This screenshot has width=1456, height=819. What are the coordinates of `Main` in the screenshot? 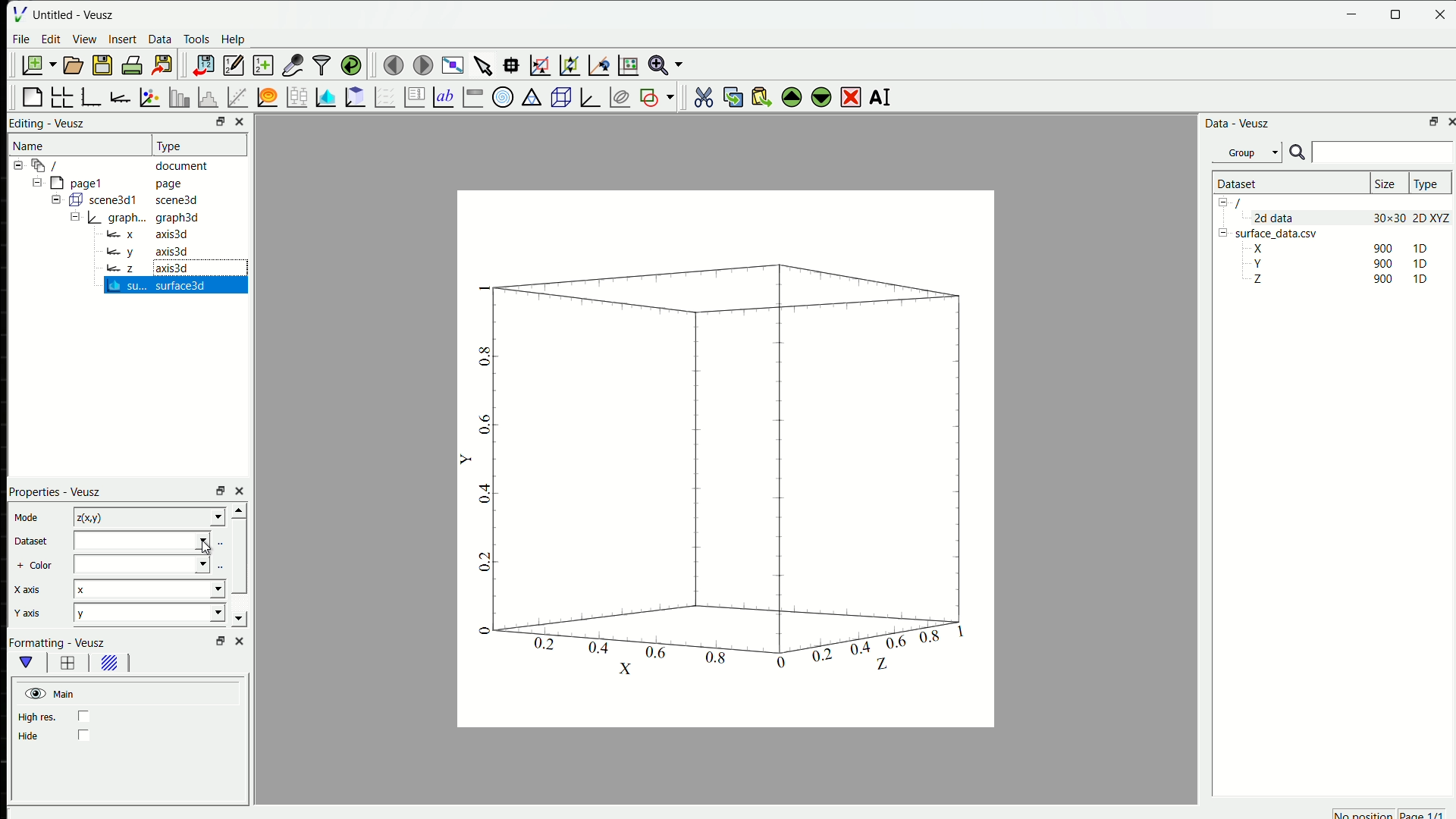 It's located at (50, 695).